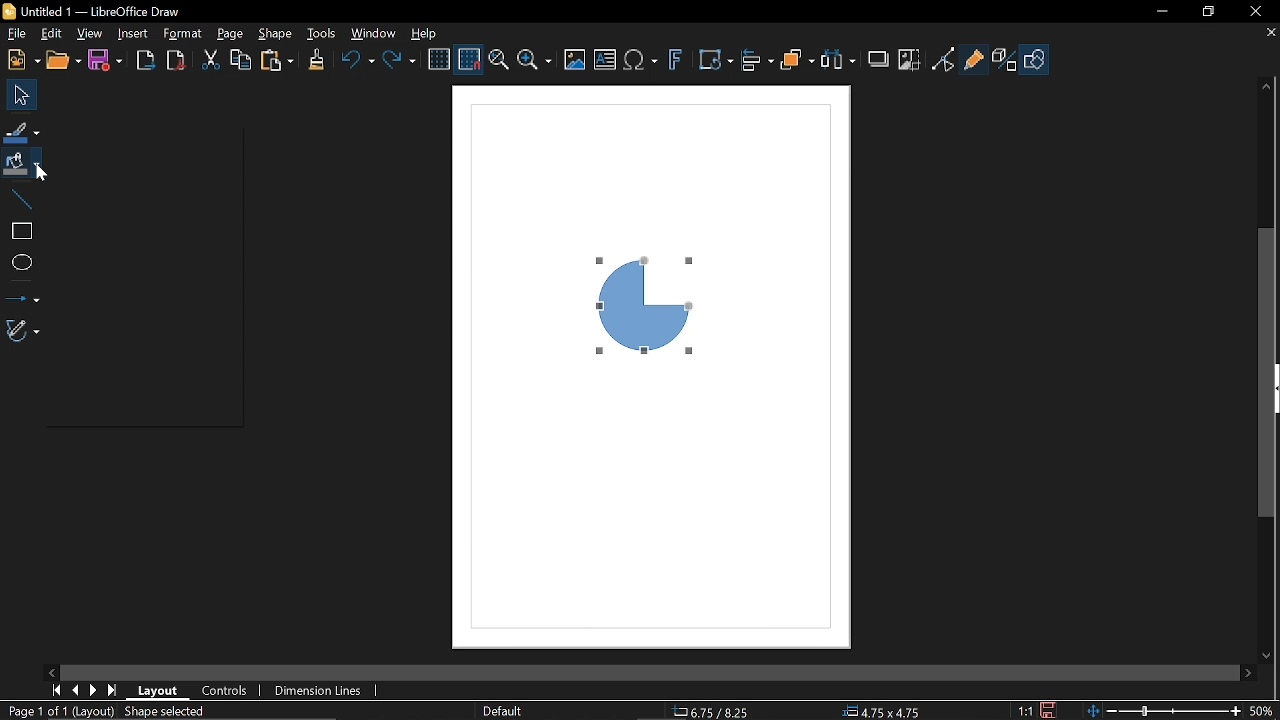  Describe the element at coordinates (714, 712) in the screenshot. I see `6.75/8.25 (cursor position)` at that location.